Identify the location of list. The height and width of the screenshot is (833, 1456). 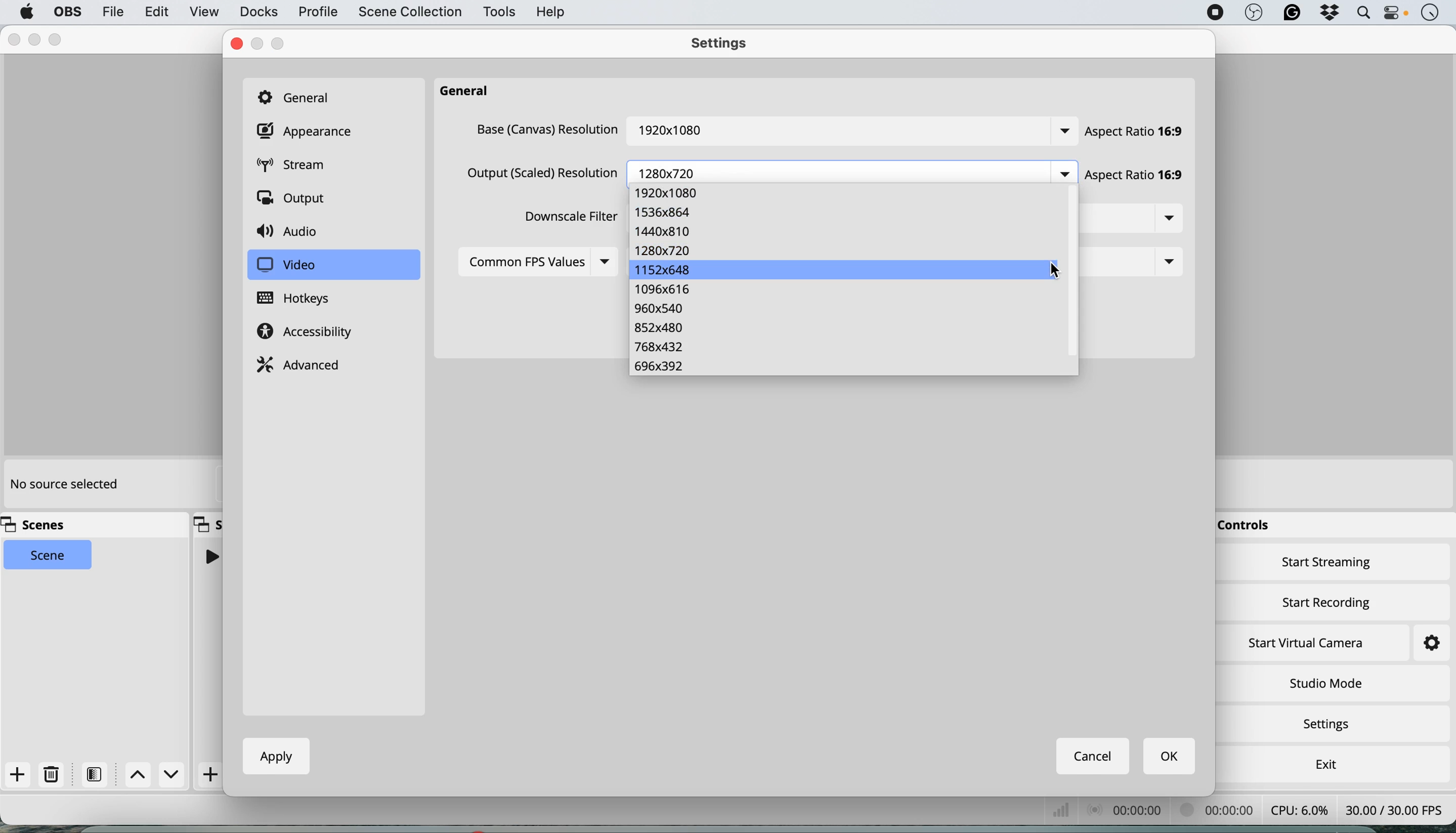
(1172, 220).